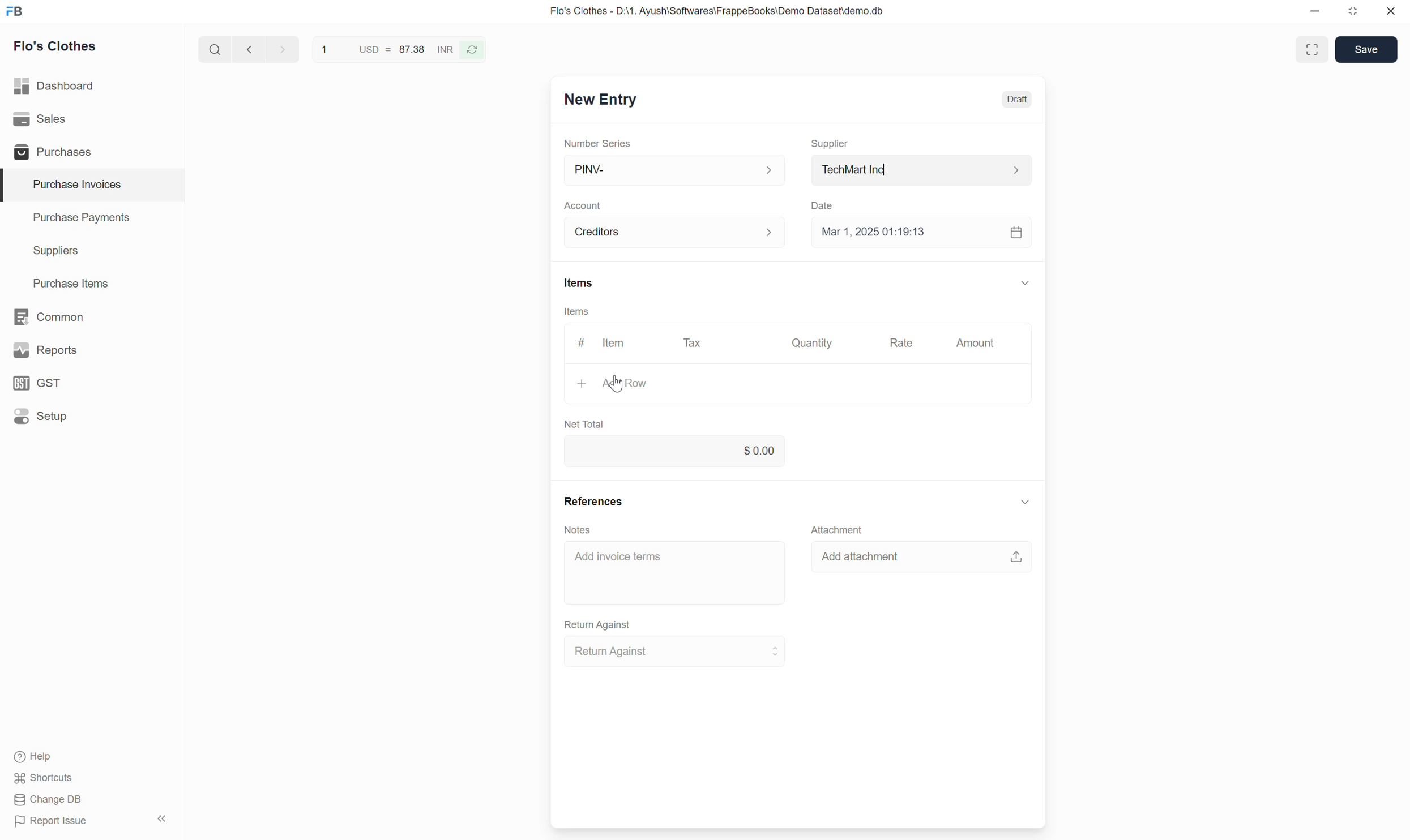 The height and width of the screenshot is (840, 1410). Describe the element at coordinates (42, 119) in the screenshot. I see `Sales` at that location.